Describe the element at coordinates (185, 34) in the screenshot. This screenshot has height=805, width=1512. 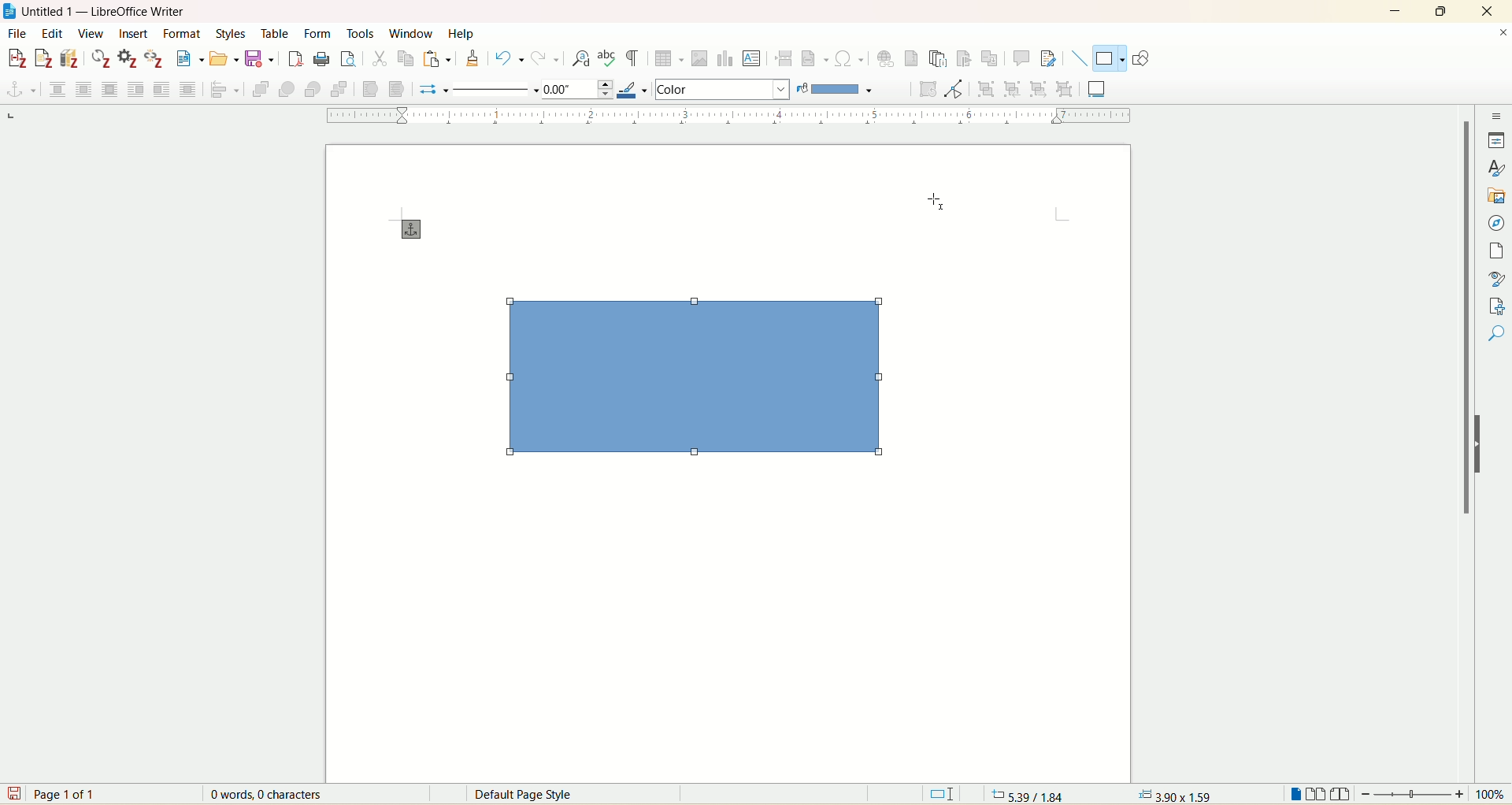
I see `format` at that location.